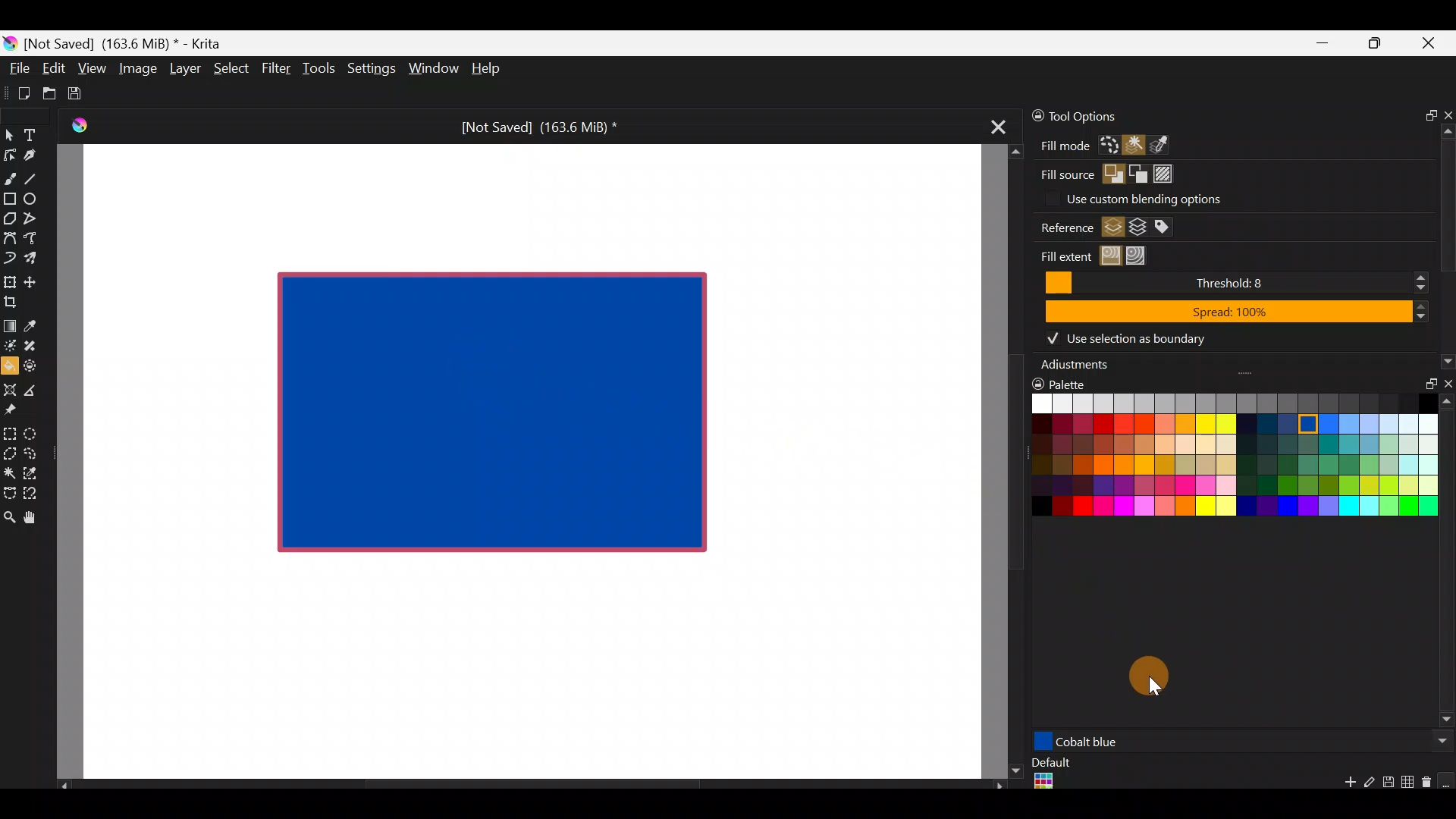 This screenshot has height=819, width=1456. Describe the element at coordinates (1138, 227) in the screenshot. I see `Fill regions from the merging of layers` at that location.